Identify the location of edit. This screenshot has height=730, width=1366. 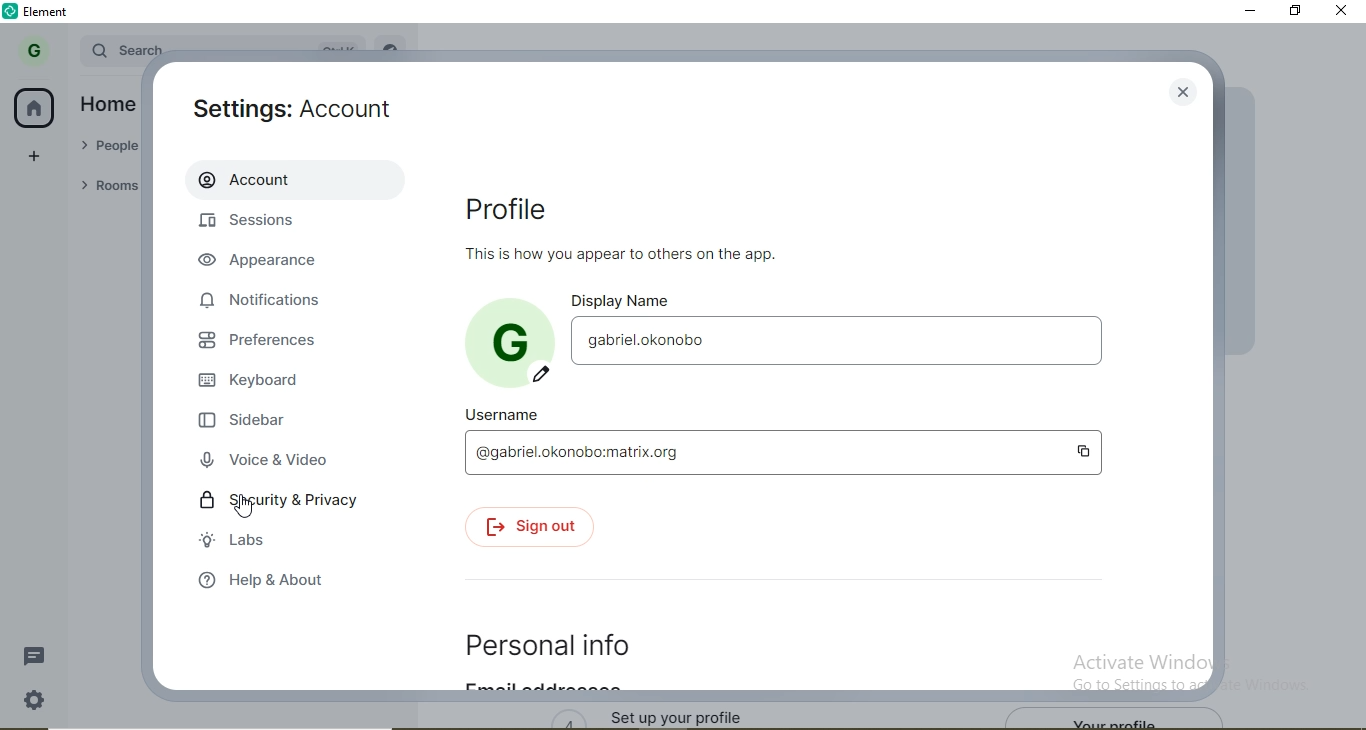
(544, 375).